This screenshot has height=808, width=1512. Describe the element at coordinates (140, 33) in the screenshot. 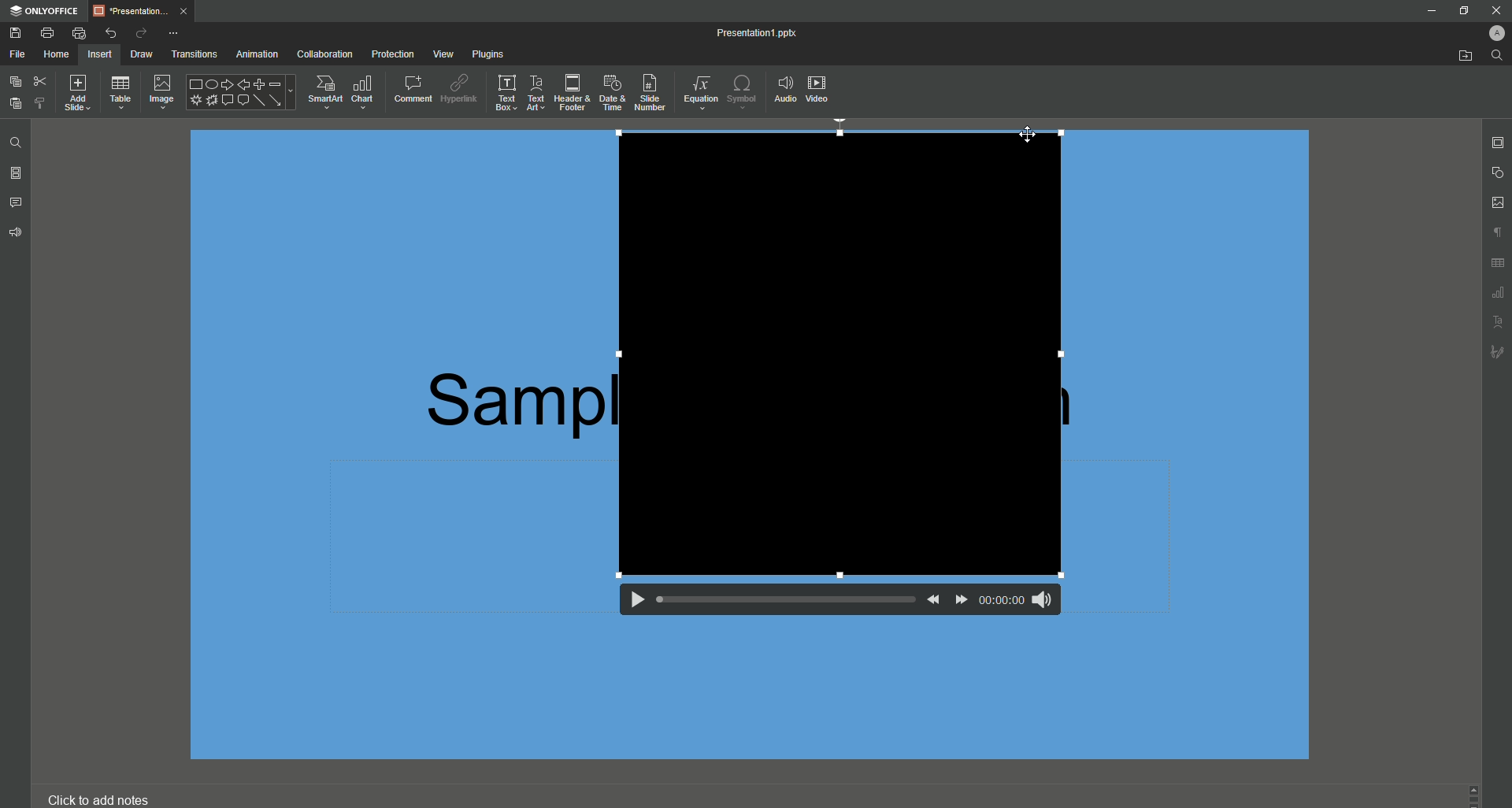

I see `Redo` at that location.